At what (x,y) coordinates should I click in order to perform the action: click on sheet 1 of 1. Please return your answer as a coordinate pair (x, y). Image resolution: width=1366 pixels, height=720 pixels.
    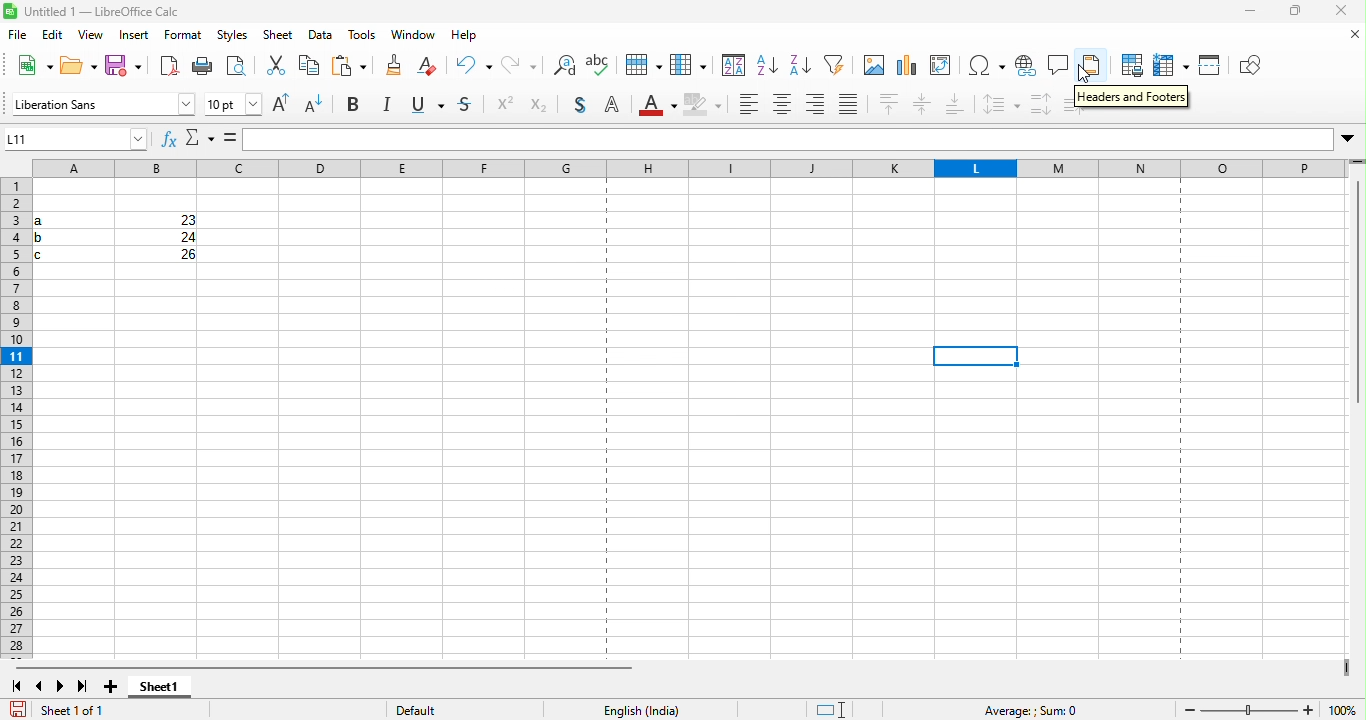
    Looking at the image, I should click on (66, 707).